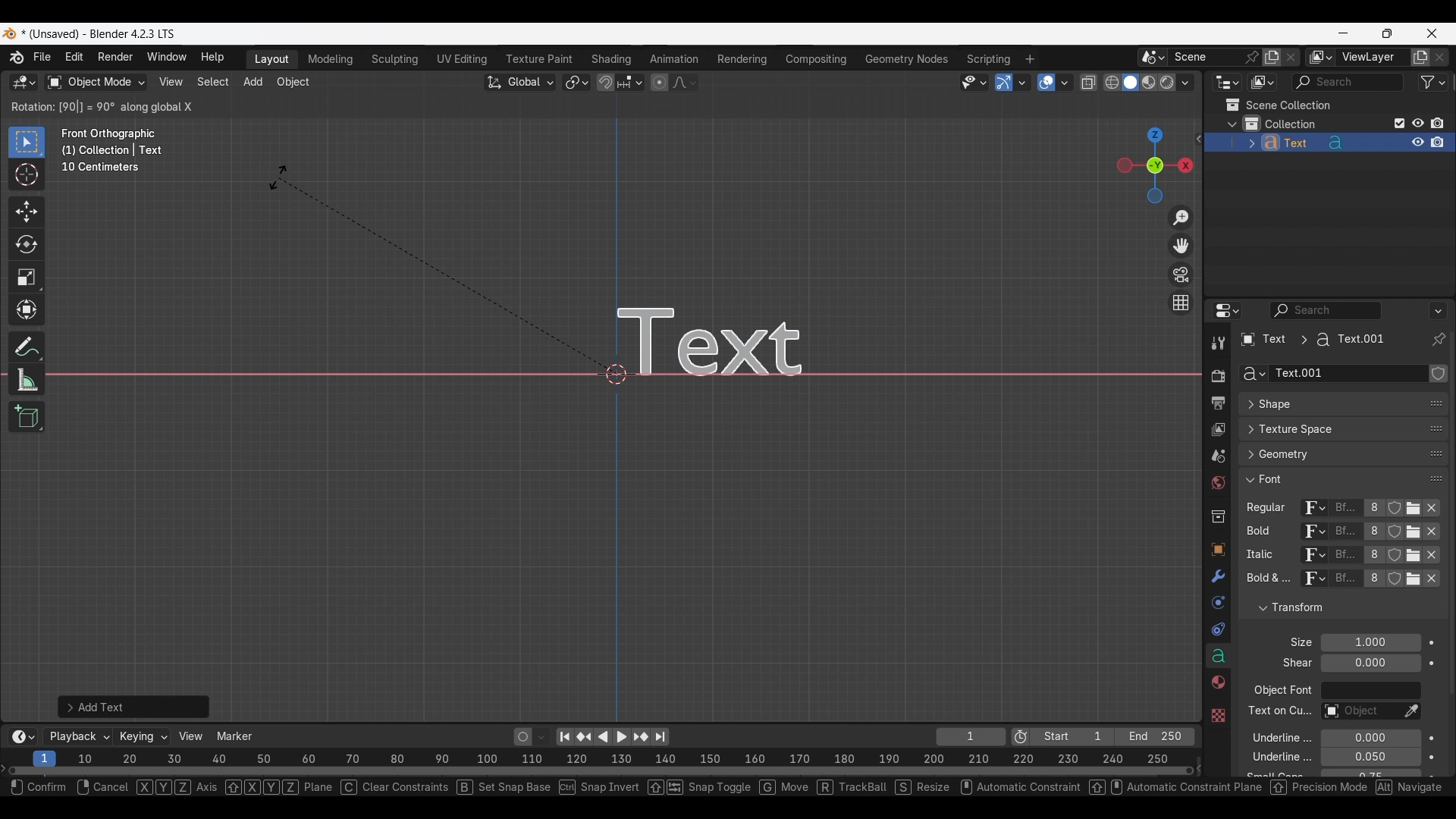 The height and width of the screenshot is (819, 1456). I want to click on More about Blender, so click(17, 58).